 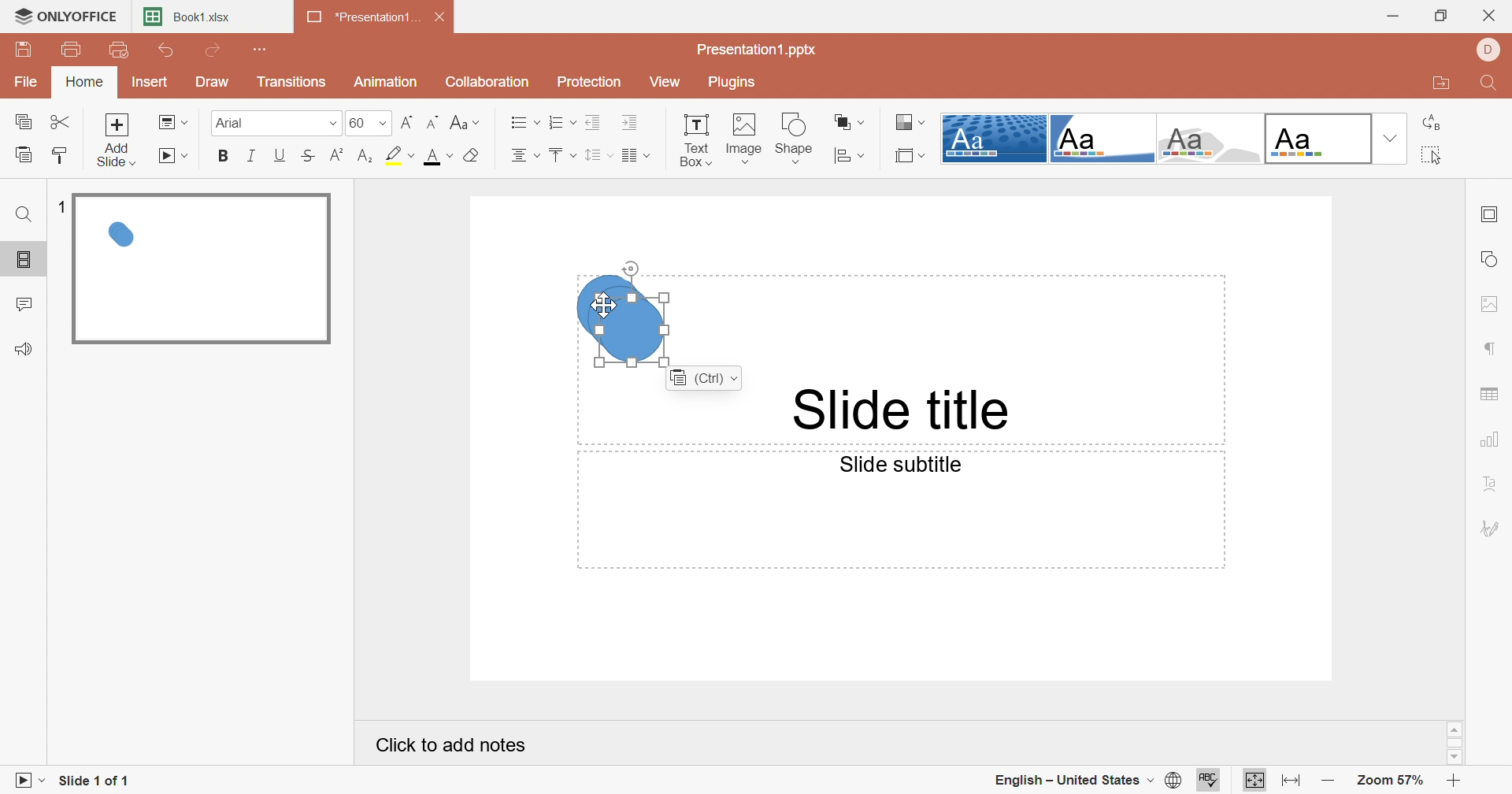 I want to click on Save, so click(x=21, y=49).